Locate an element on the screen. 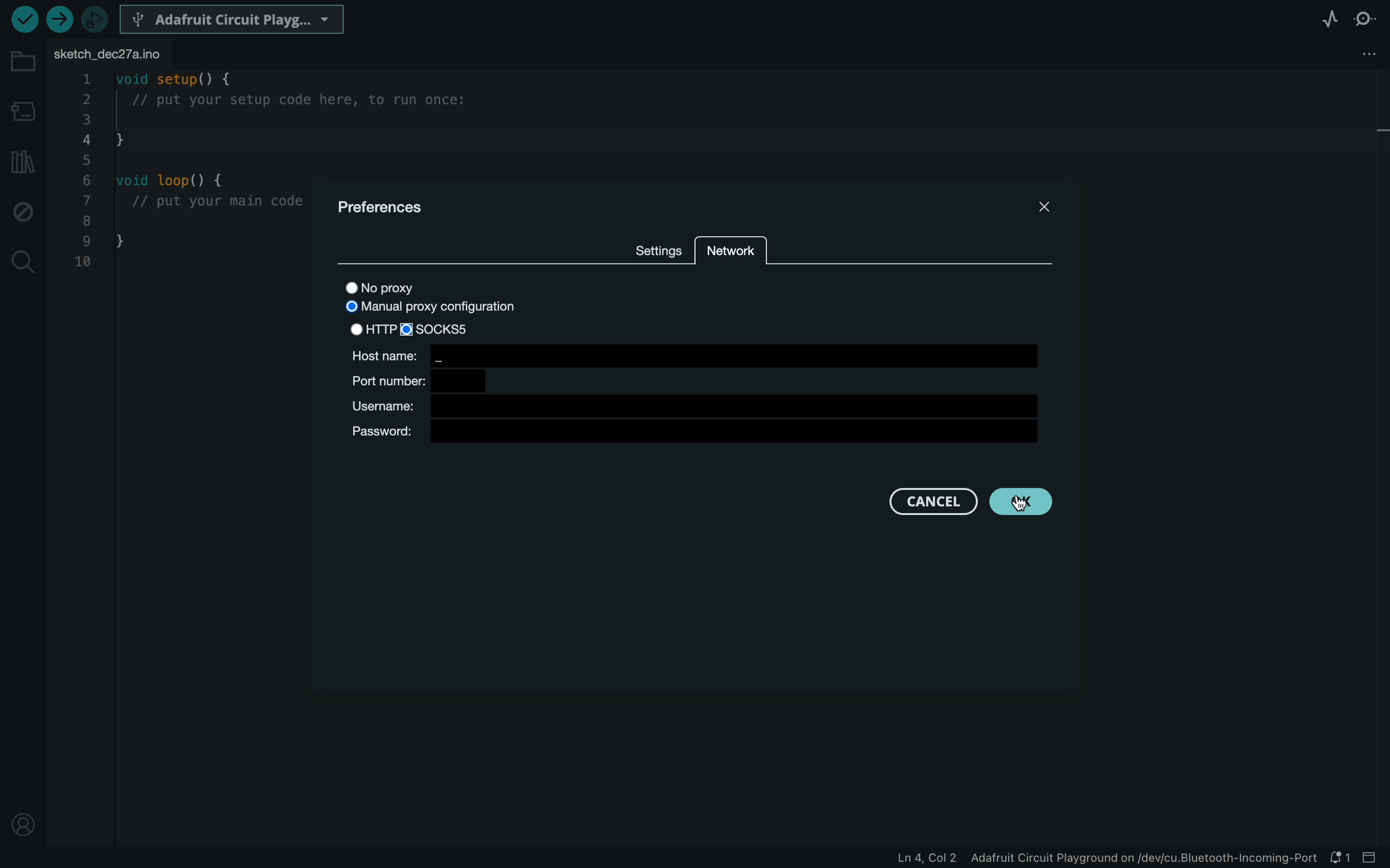 This screenshot has width=1390, height=868. file tab is located at coordinates (115, 56).